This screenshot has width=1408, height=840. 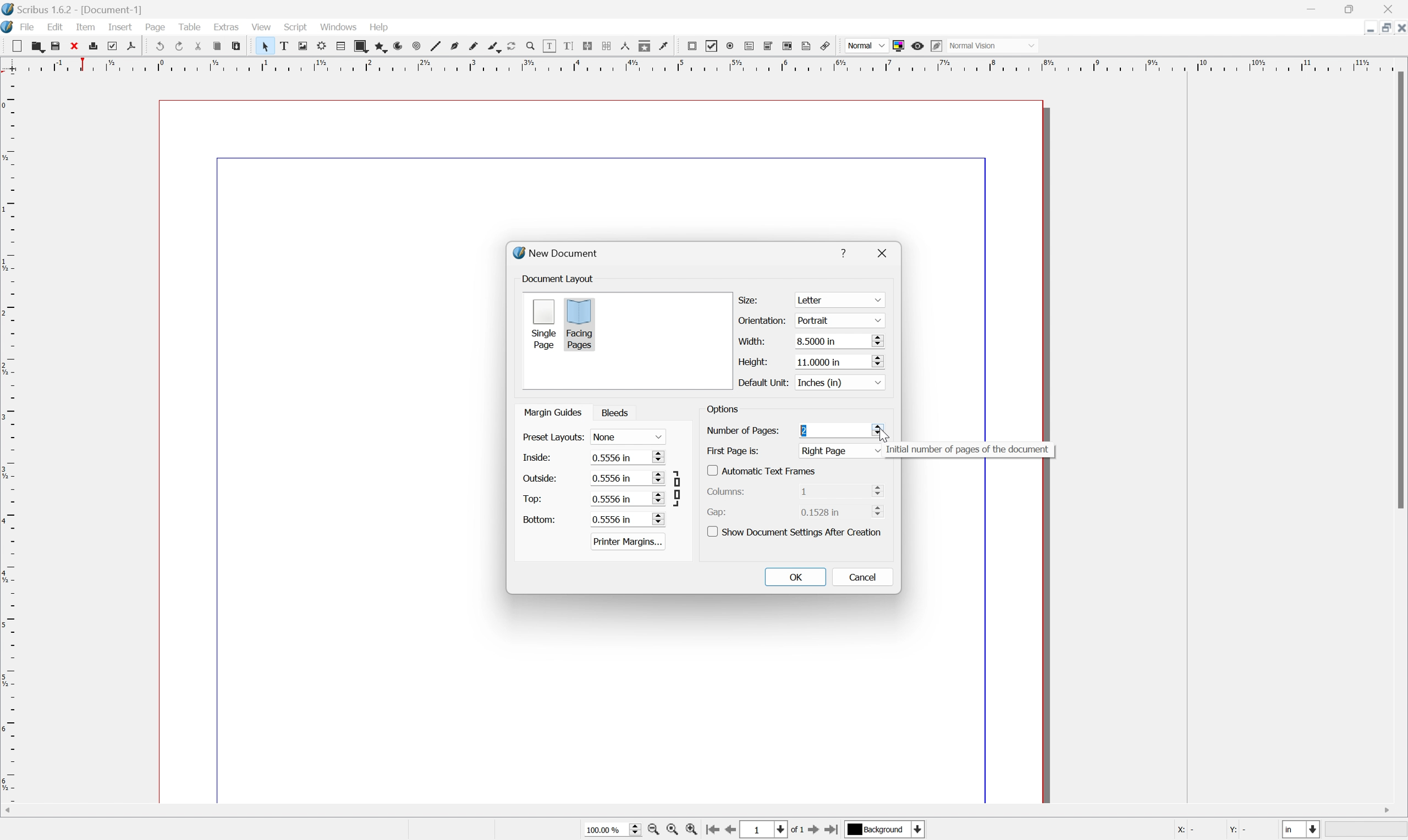 What do you see at coordinates (59, 46) in the screenshot?
I see `Save` at bounding box center [59, 46].